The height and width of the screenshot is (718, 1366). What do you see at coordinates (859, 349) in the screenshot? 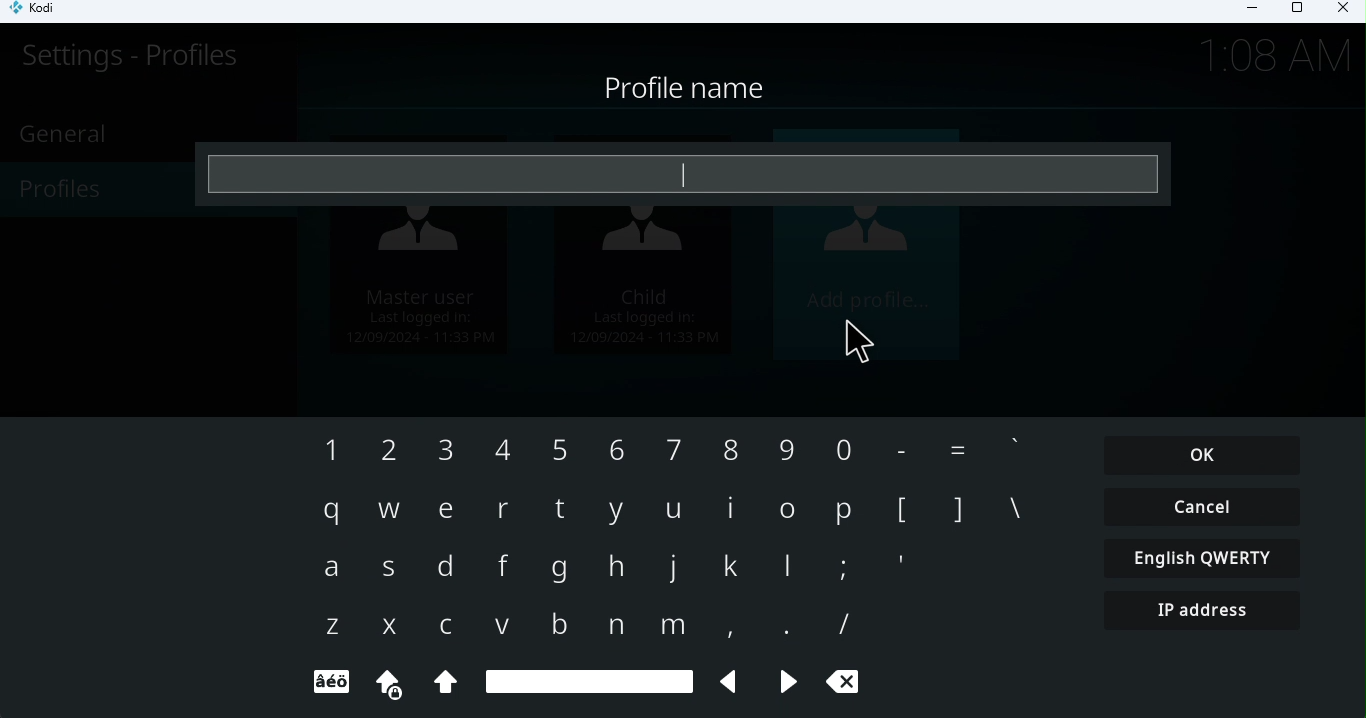
I see `Cursor` at bounding box center [859, 349].